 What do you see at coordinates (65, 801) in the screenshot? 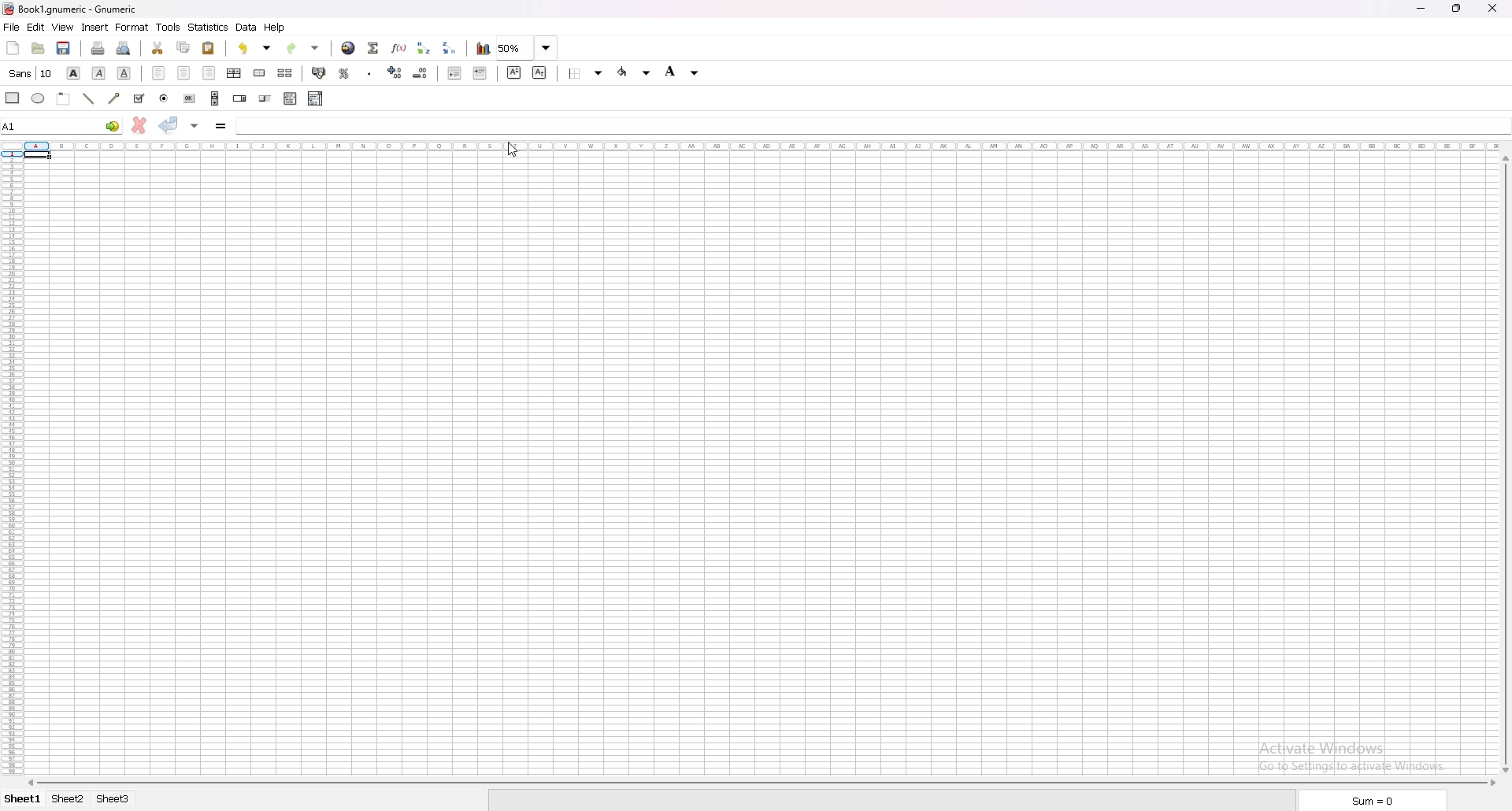
I see `Sheet 2` at bounding box center [65, 801].